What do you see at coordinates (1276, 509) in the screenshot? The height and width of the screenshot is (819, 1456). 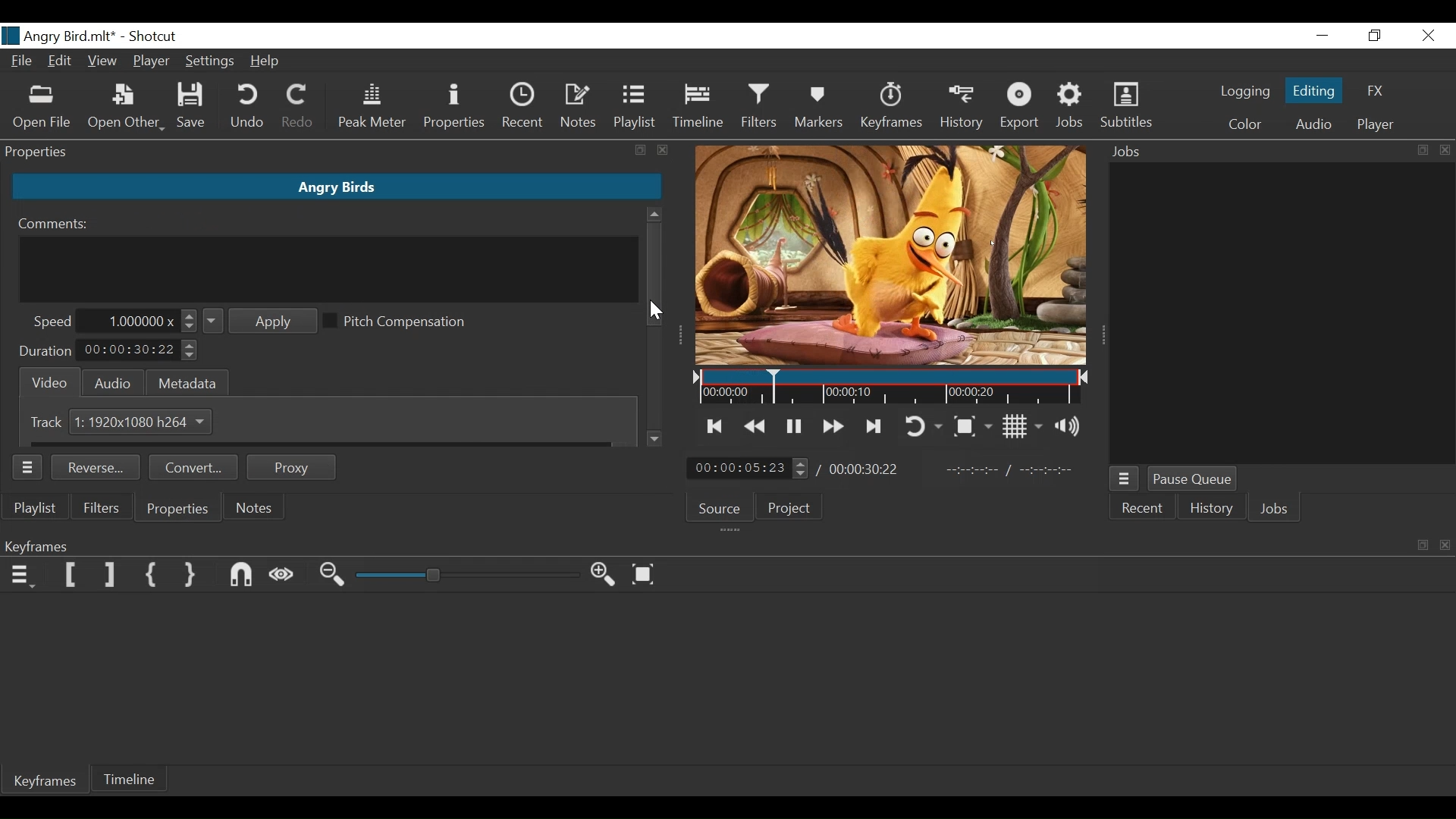 I see `Jobs` at bounding box center [1276, 509].